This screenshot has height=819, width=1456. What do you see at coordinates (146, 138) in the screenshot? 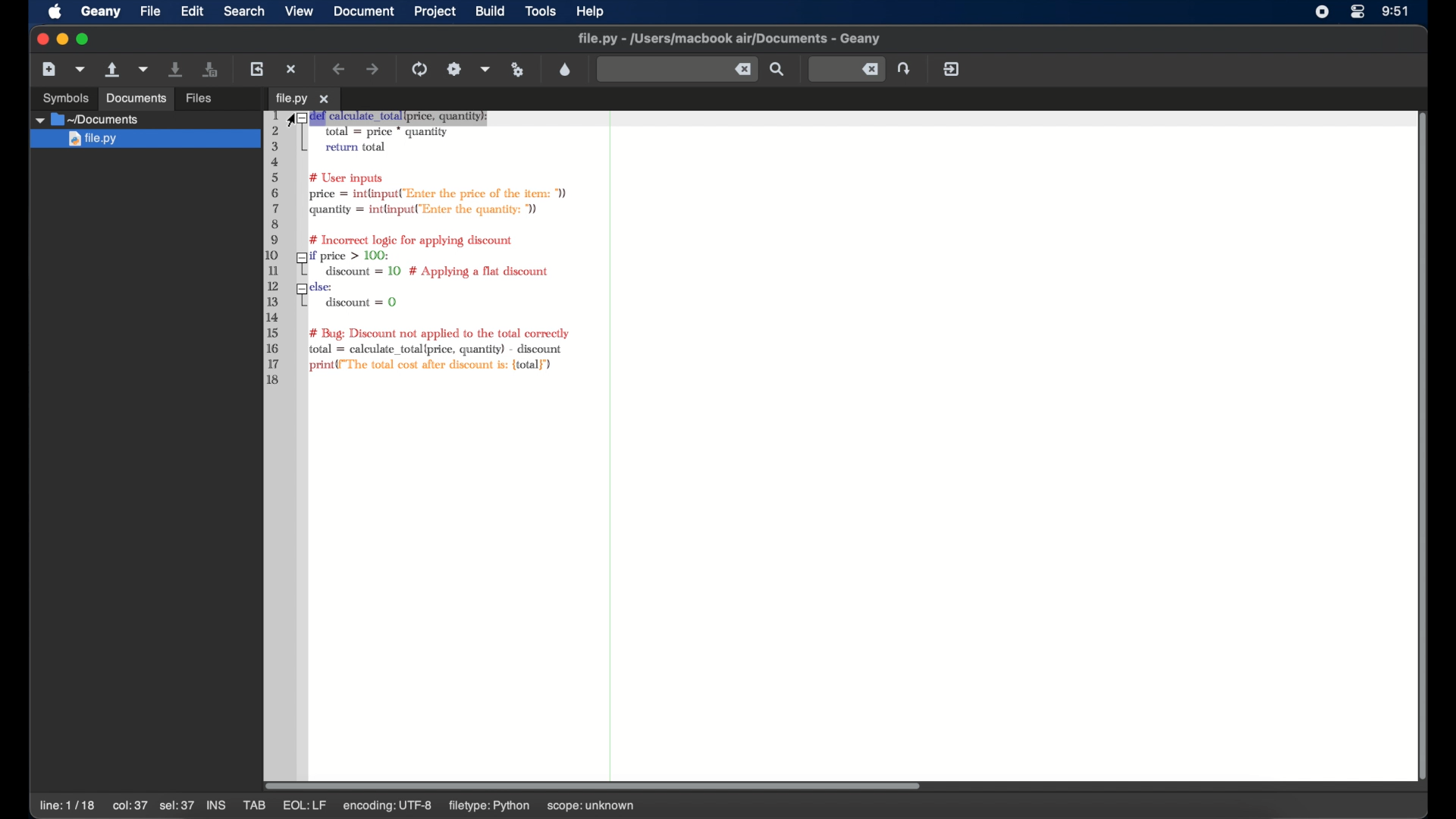
I see `file.py` at bounding box center [146, 138].